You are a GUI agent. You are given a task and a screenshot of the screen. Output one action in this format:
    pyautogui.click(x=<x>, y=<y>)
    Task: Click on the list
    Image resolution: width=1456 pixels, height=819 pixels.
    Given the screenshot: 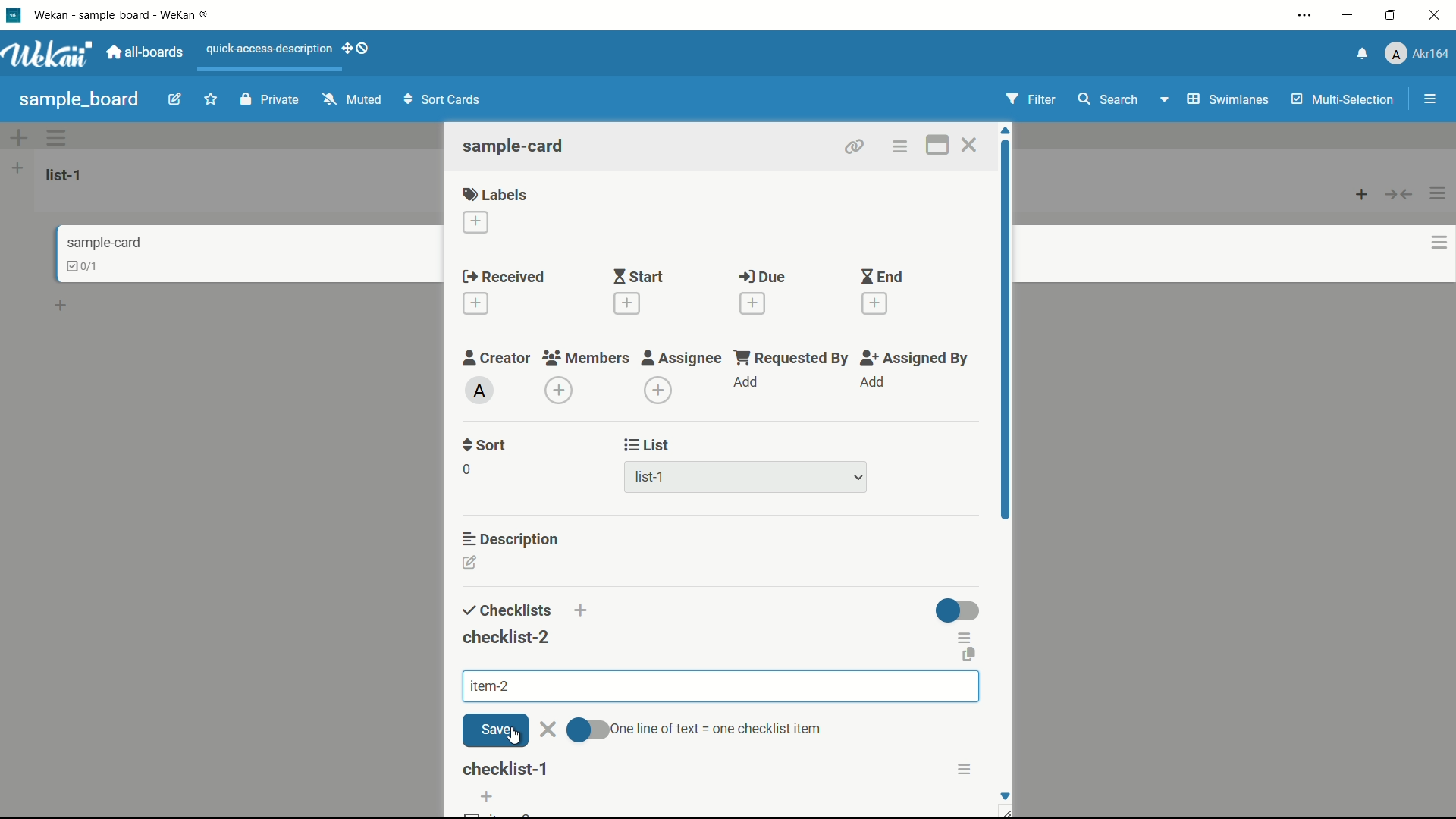 What is the action you would take?
    pyautogui.click(x=648, y=445)
    